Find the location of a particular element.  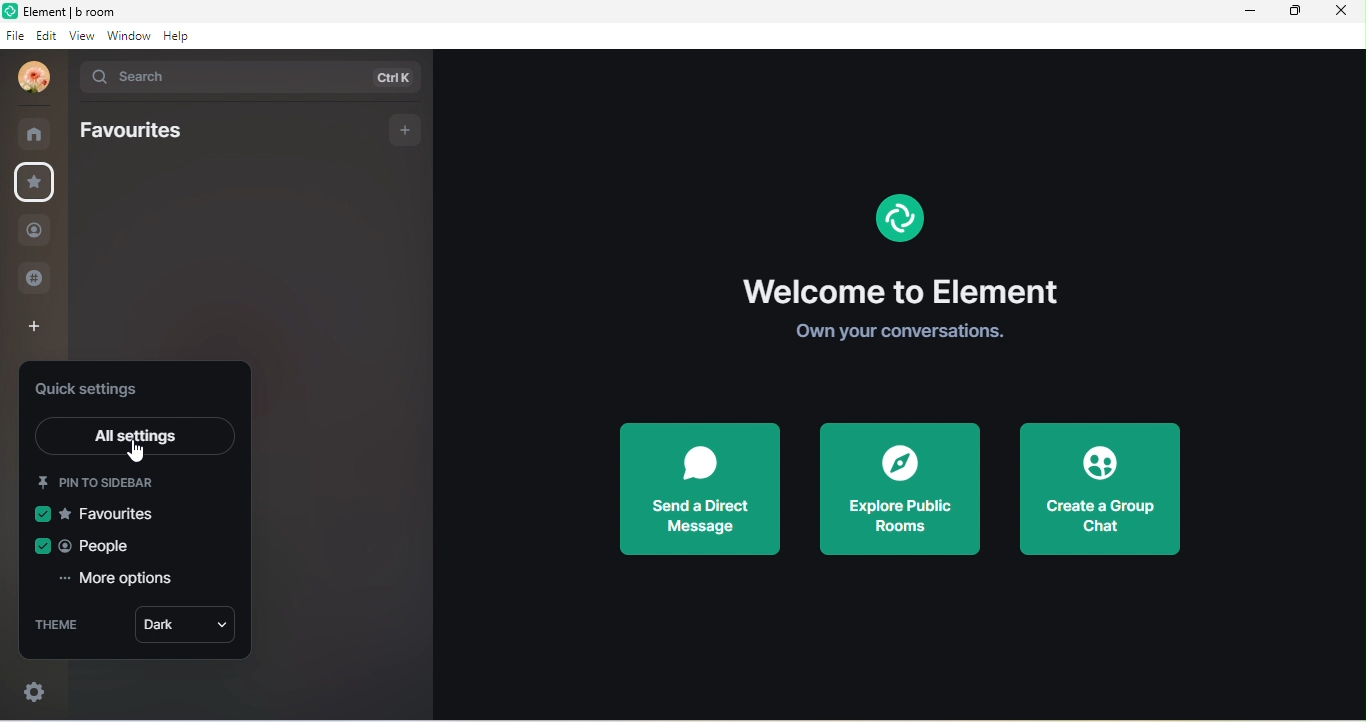

minimize is located at coordinates (1252, 11).